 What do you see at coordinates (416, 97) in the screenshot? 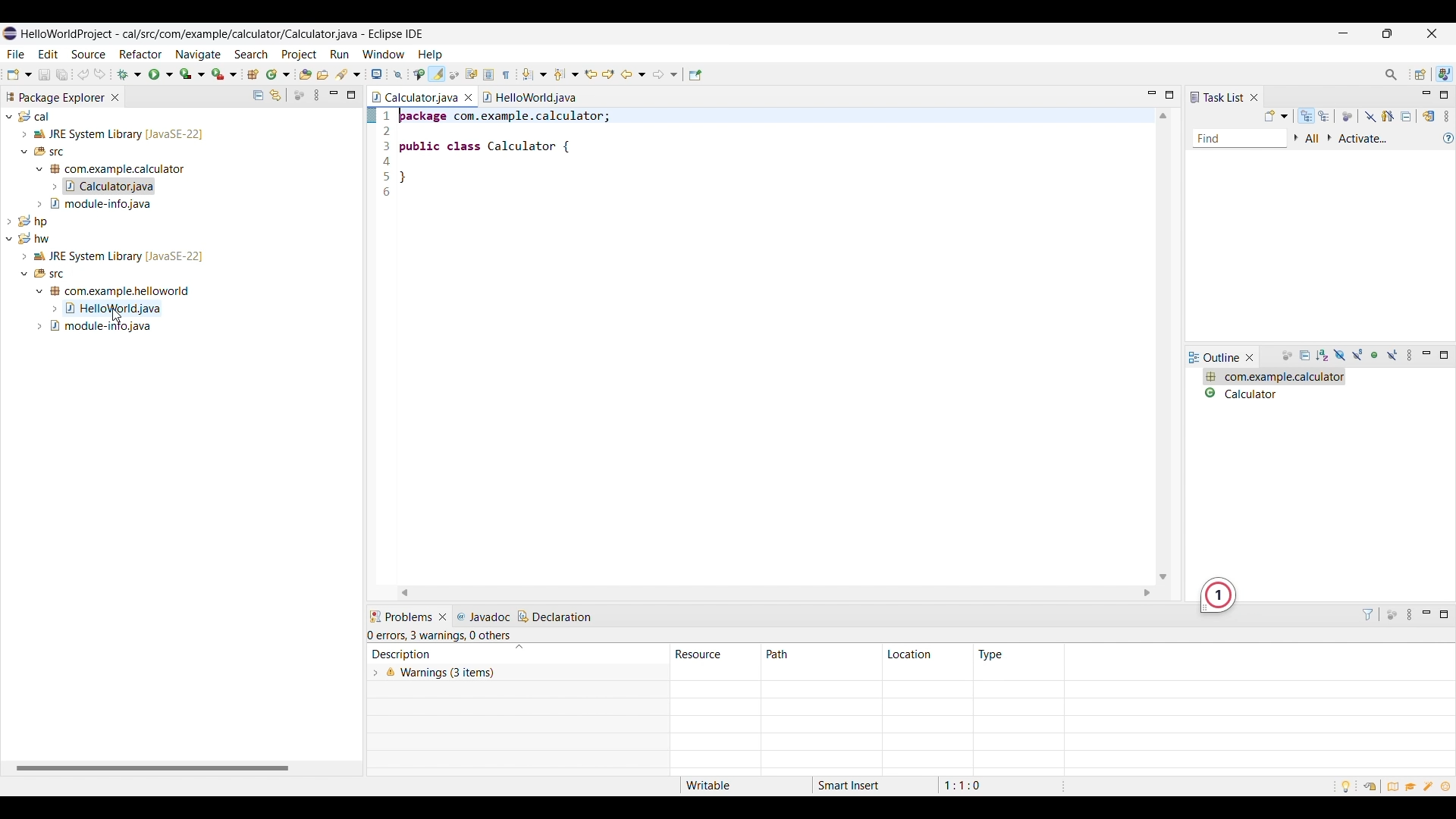
I see `calculator.java` at bounding box center [416, 97].